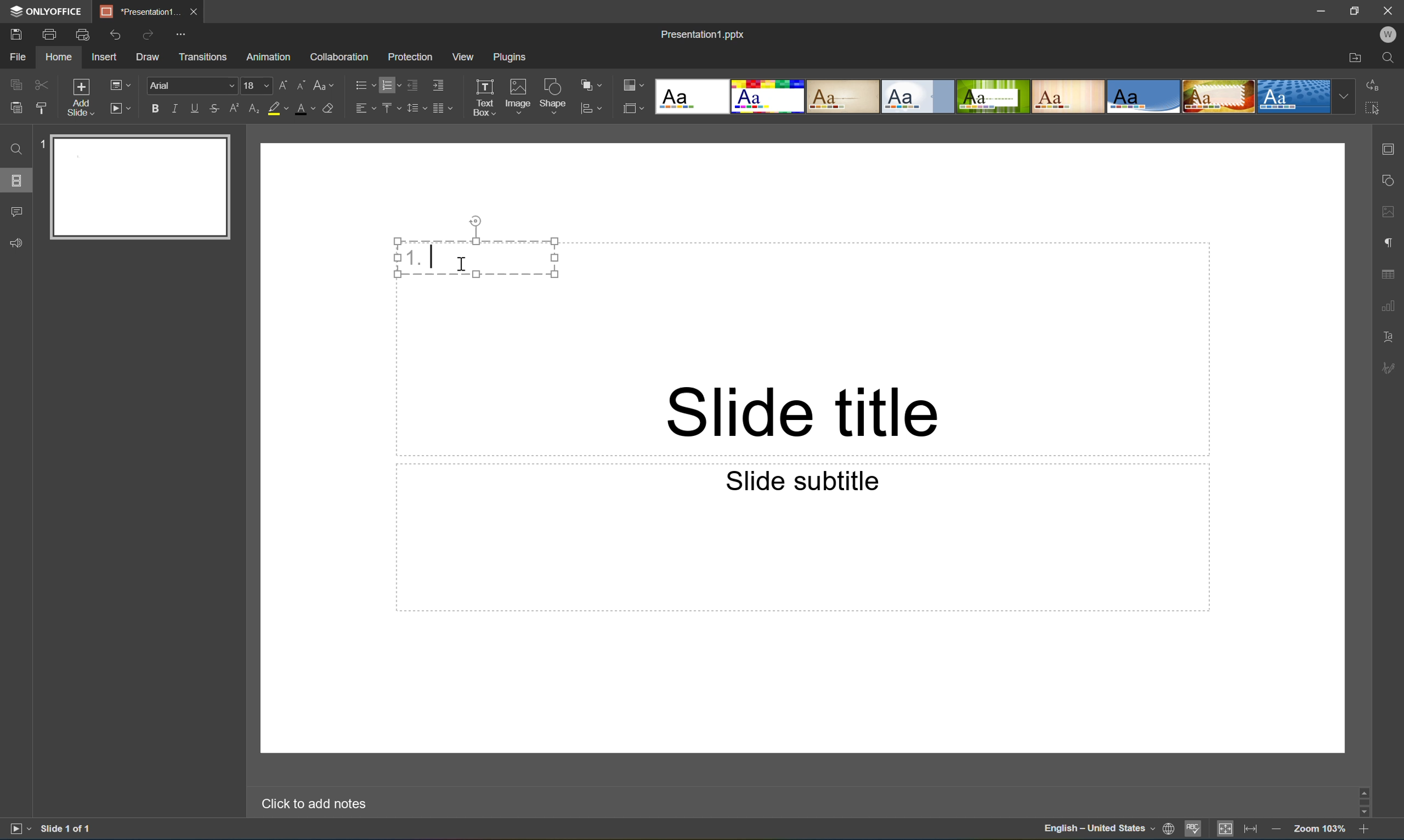 The image size is (1404, 840). Describe the element at coordinates (1364, 832) in the screenshot. I see `Zoom in` at that location.